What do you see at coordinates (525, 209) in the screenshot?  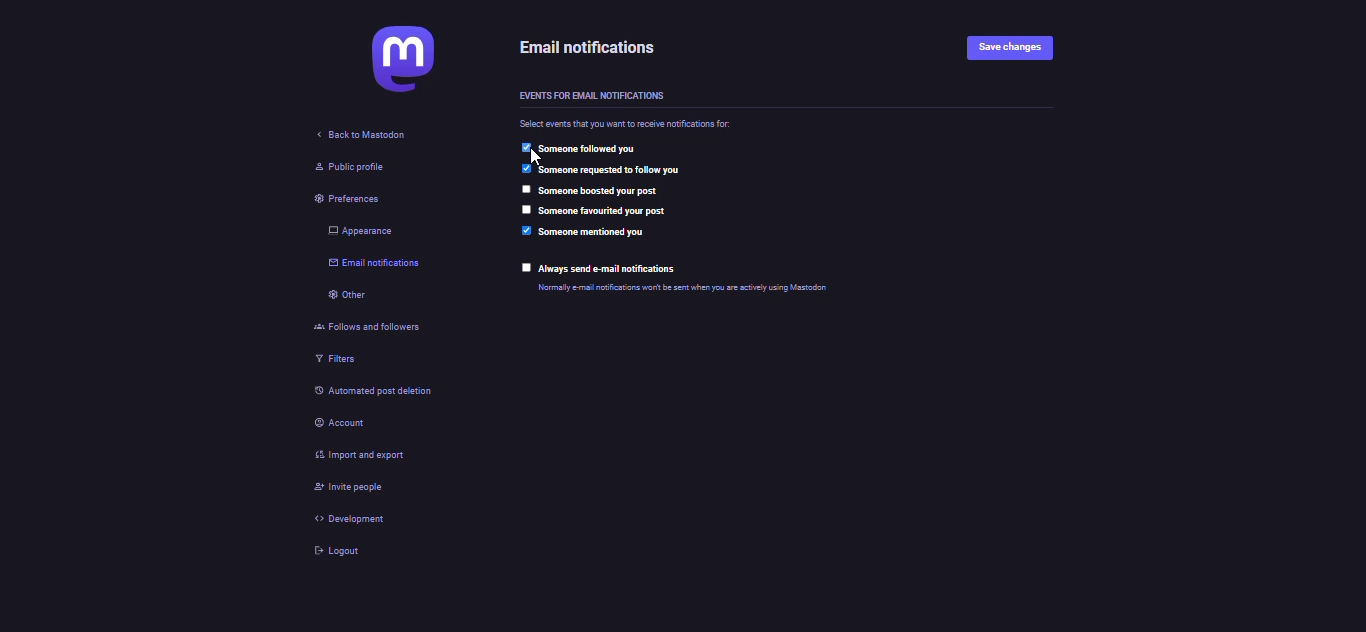 I see `click to enable` at bounding box center [525, 209].